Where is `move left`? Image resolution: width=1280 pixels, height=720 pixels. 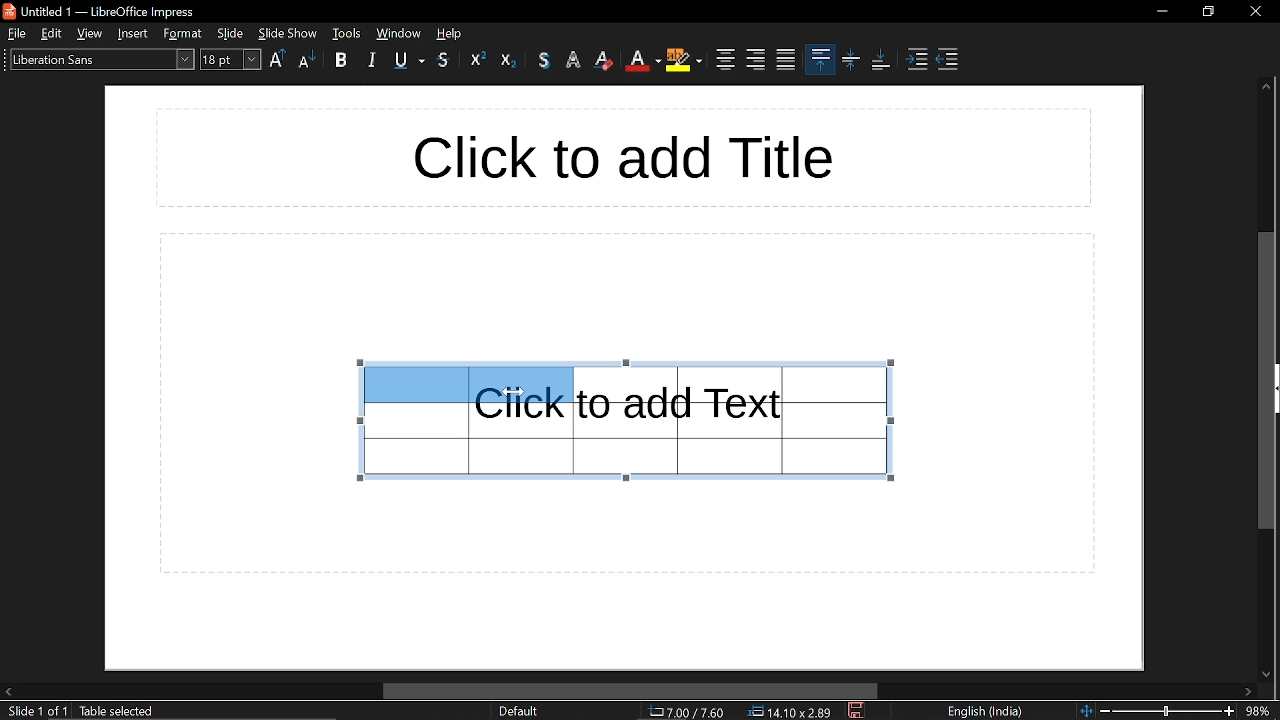 move left is located at coordinates (8, 690).